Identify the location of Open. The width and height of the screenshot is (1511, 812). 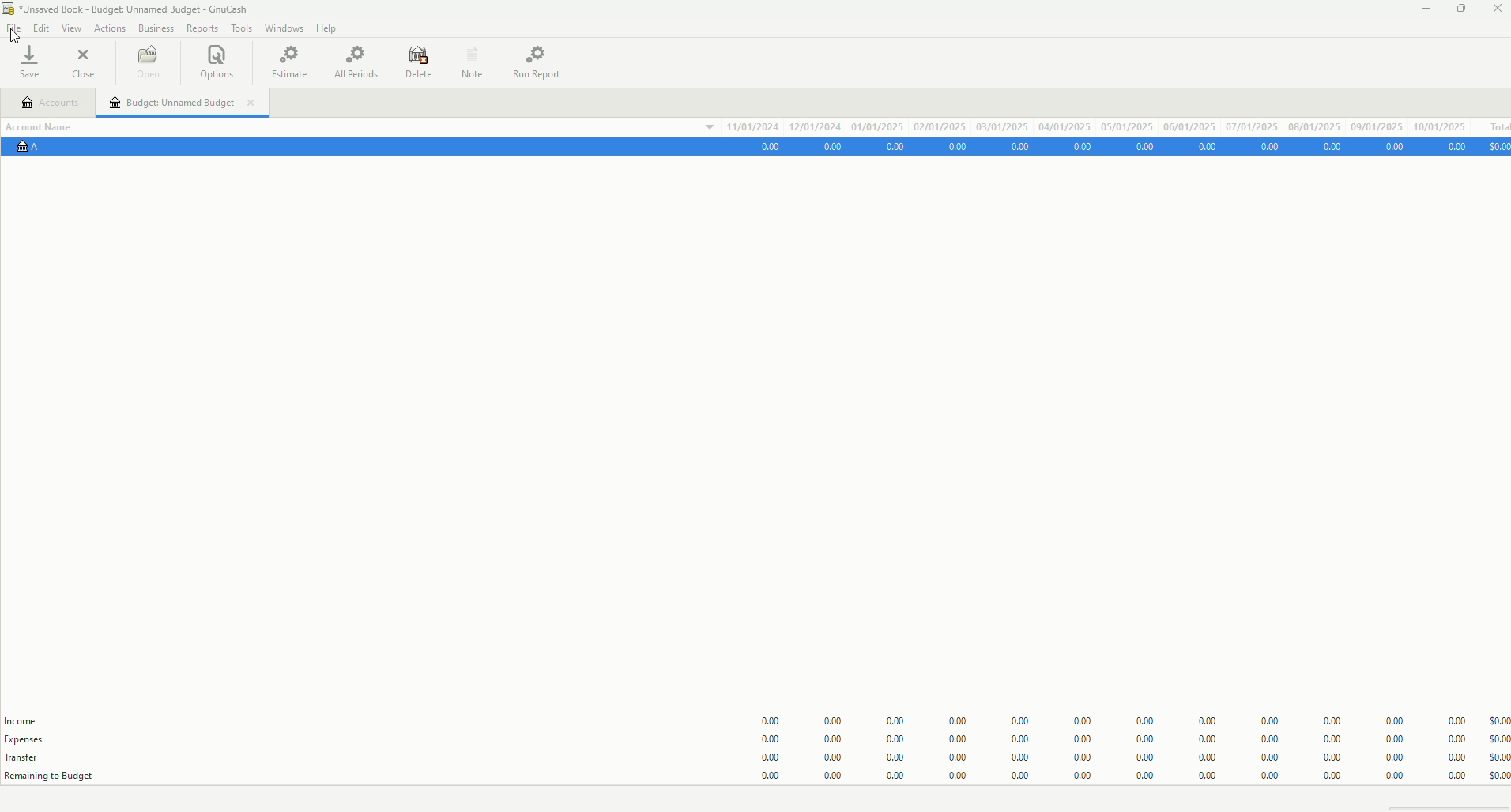
(150, 62).